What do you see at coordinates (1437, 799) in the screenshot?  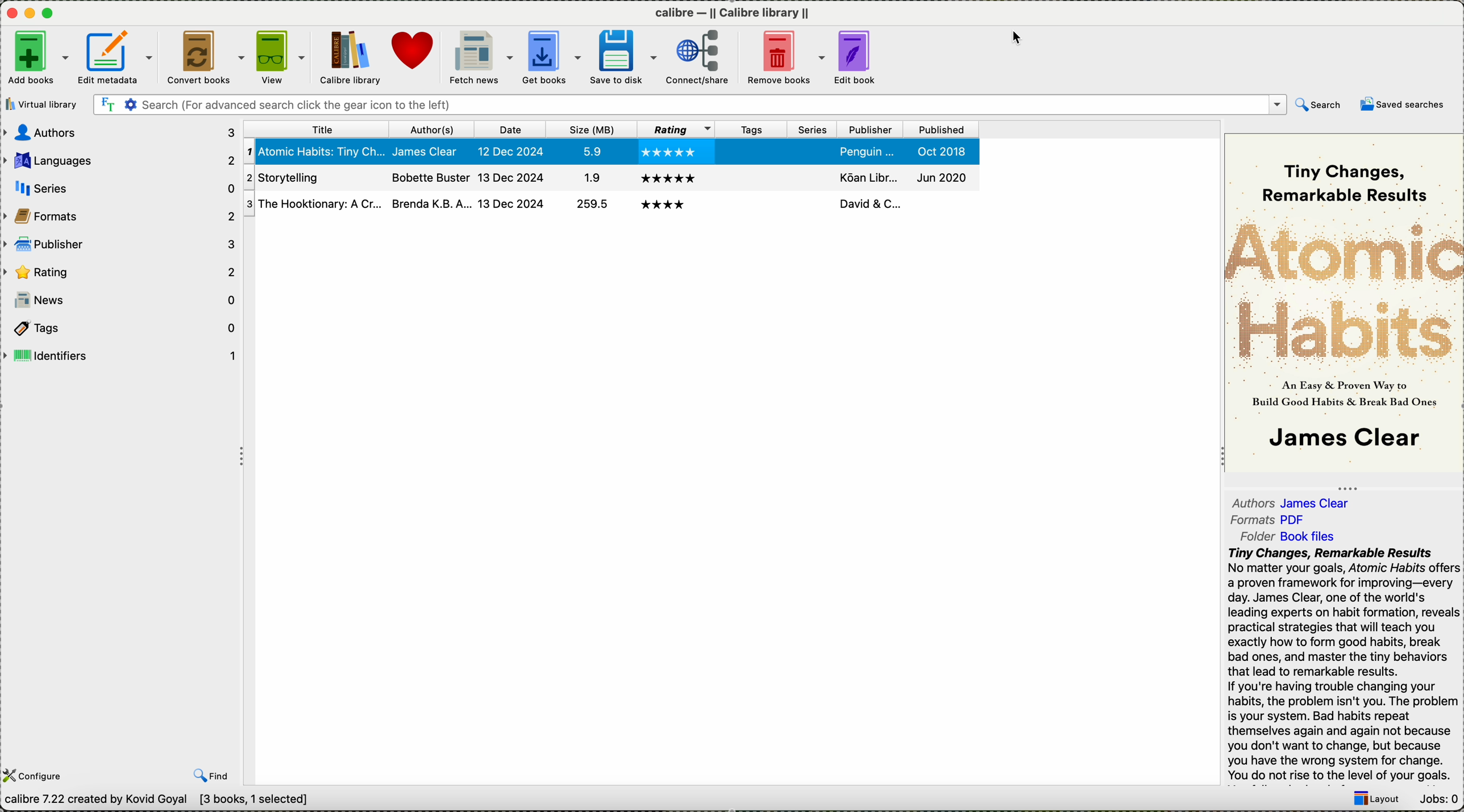 I see `Jobs: 0` at bounding box center [1437, 799].